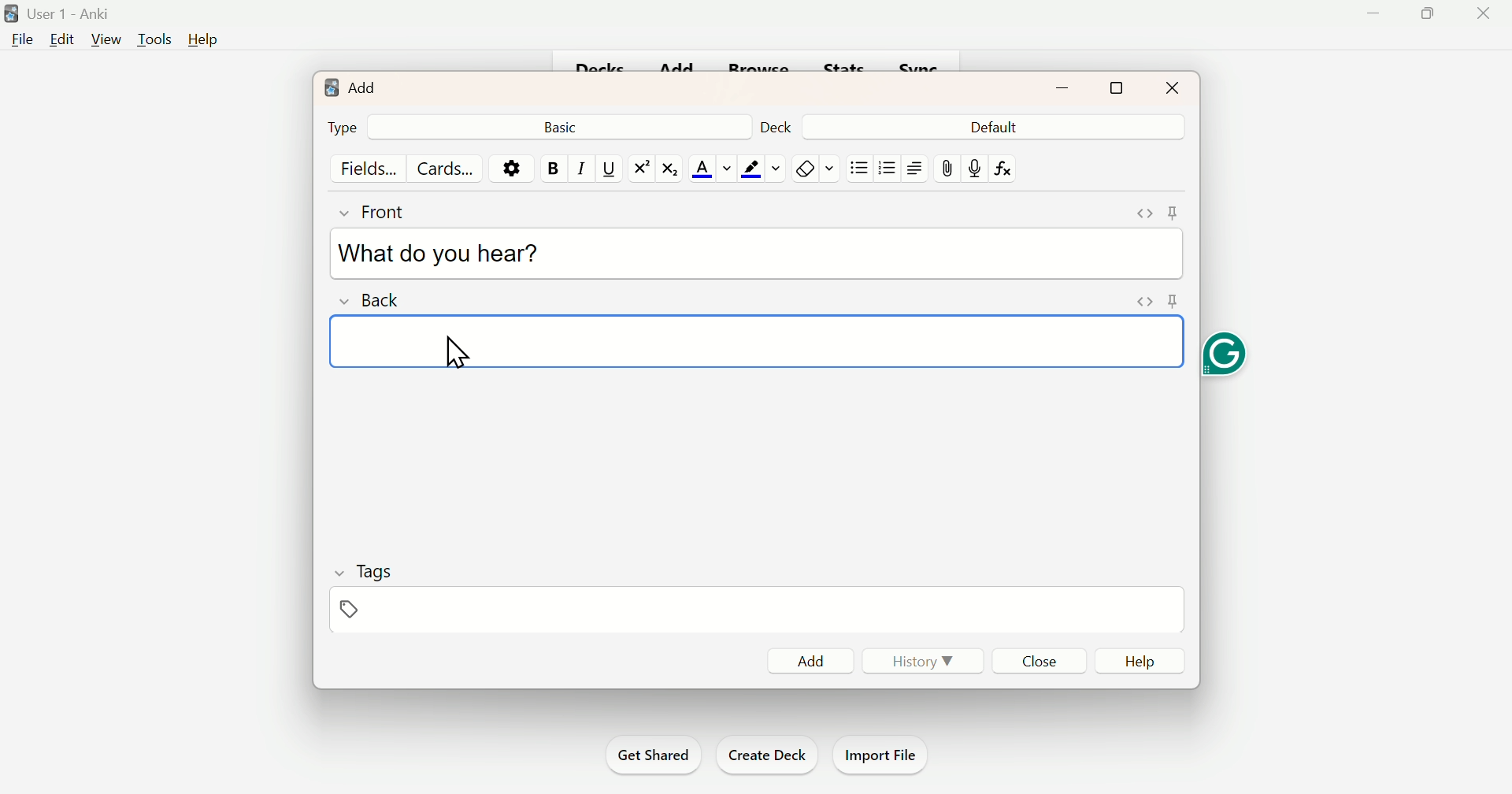 The height and width of the screenshot is (794, 1512). What do you see at coordinates (372, 169) in the screenshot?
I see `Fields...` at bounding box center [372, 169].